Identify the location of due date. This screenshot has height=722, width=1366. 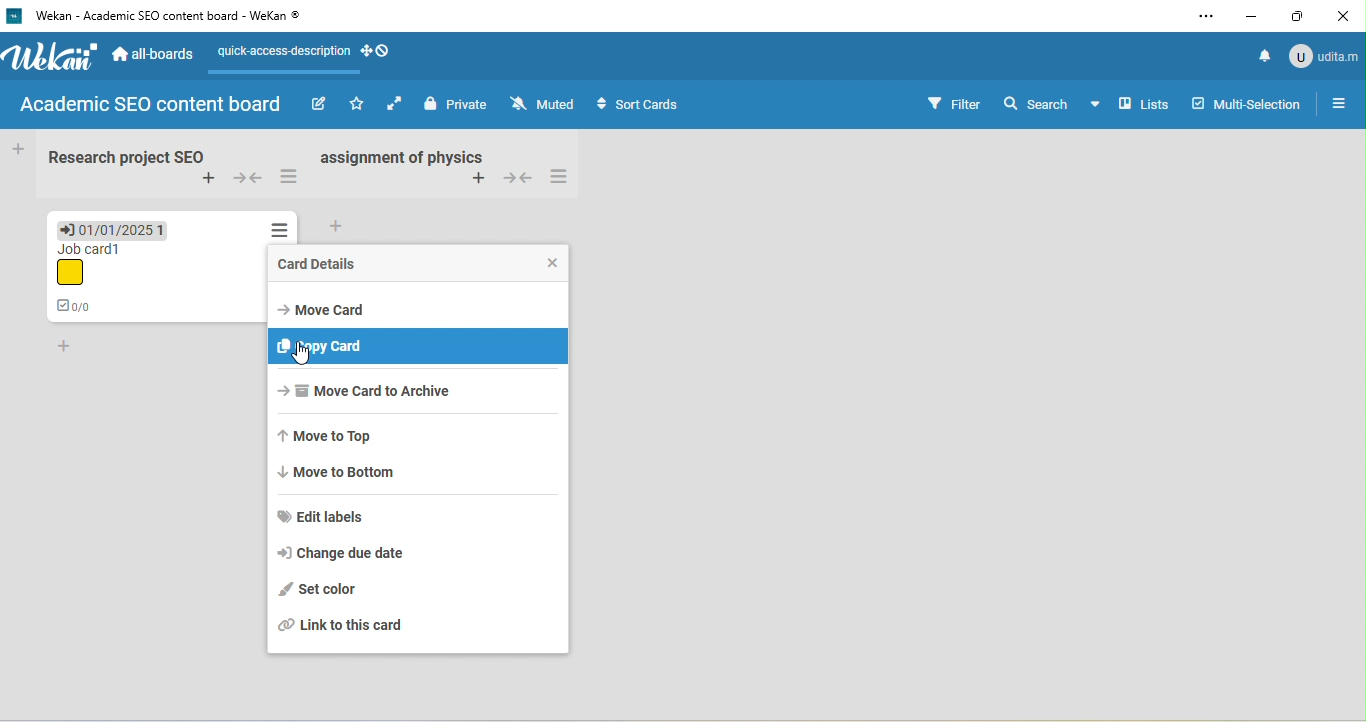
(114, 228).